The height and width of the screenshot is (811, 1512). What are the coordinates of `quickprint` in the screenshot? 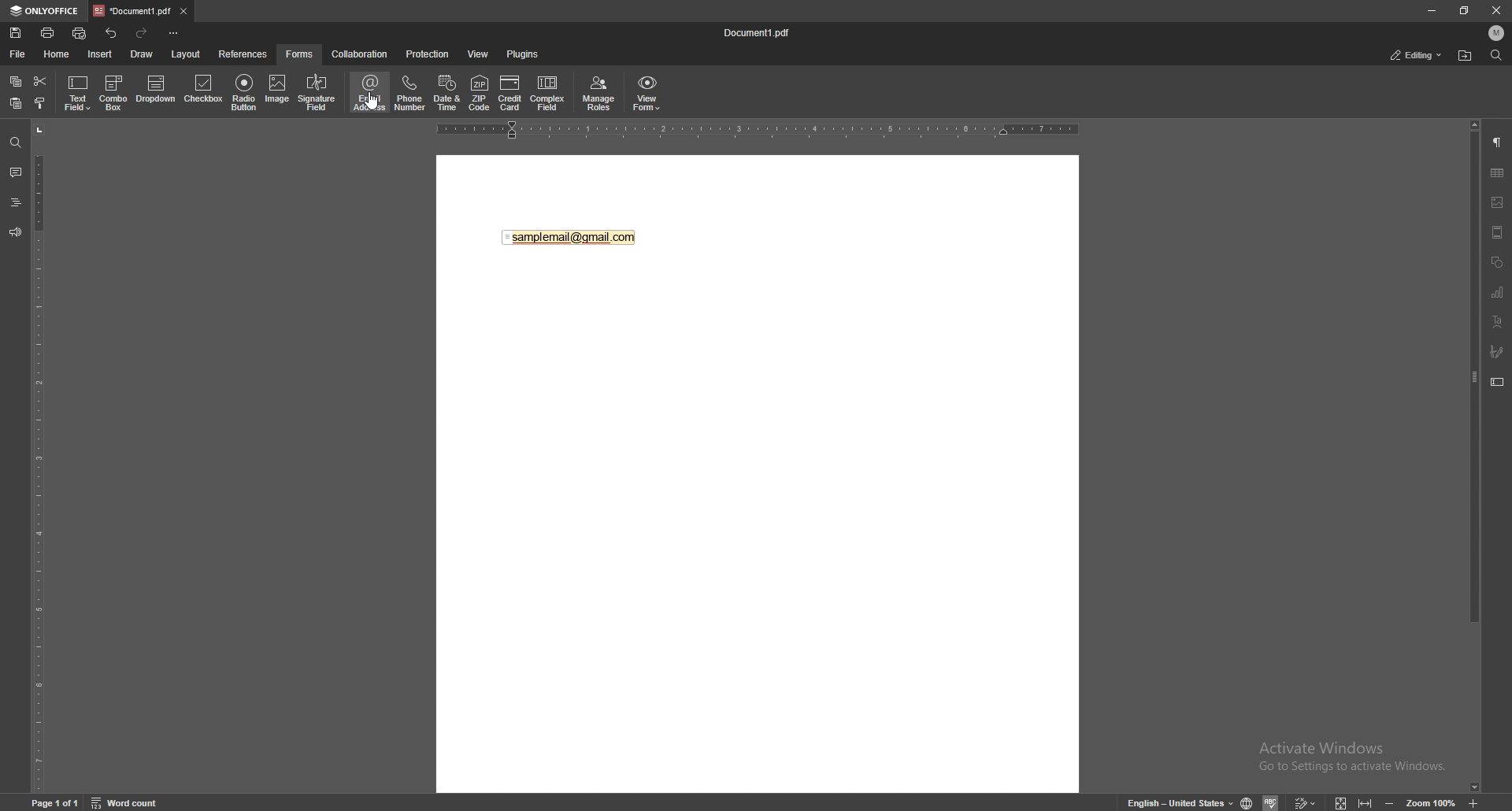 It's located at (80, 33).